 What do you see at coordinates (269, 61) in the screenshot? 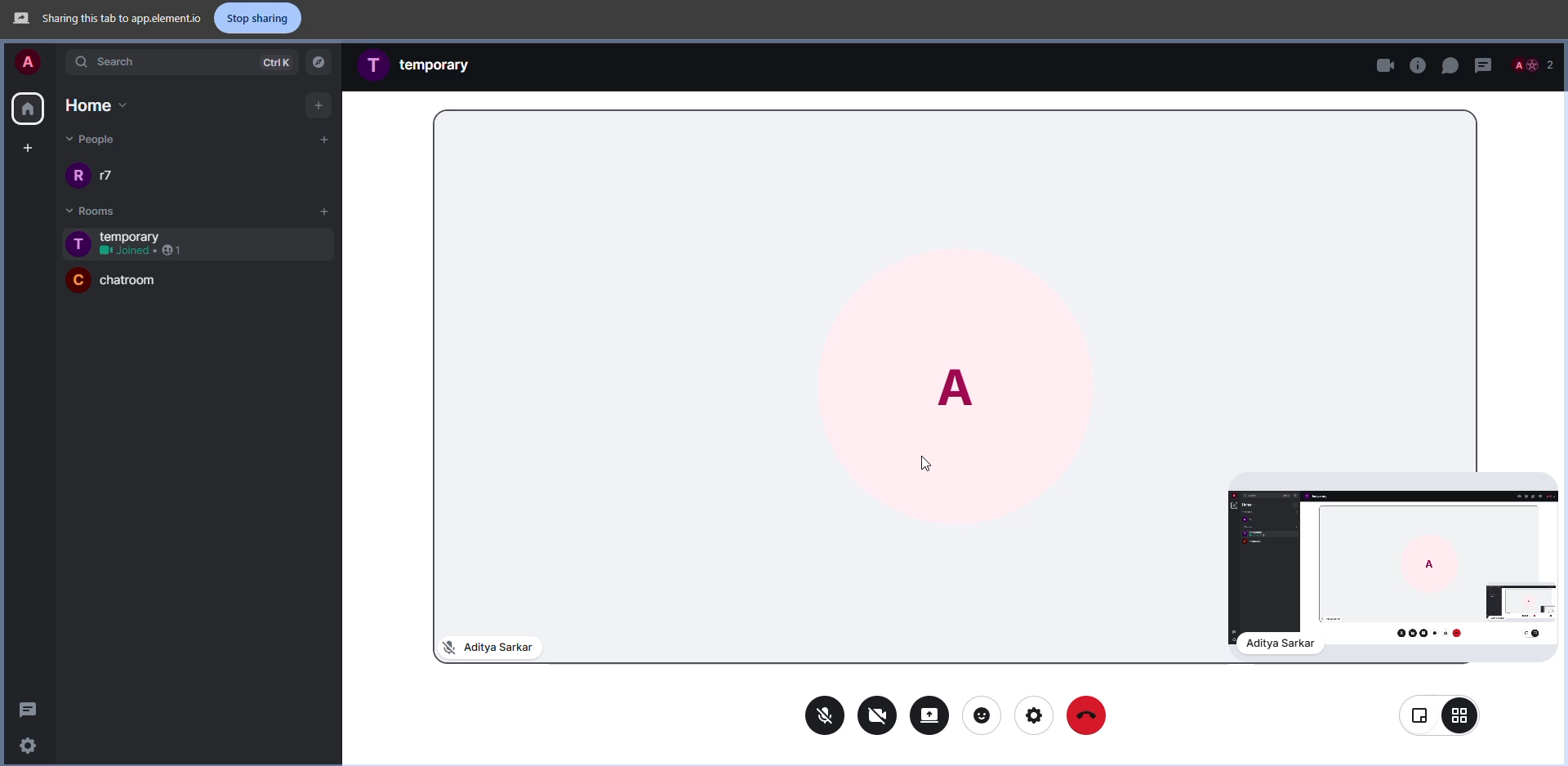
I see `ctrlK` at bounding box center [269, 61].